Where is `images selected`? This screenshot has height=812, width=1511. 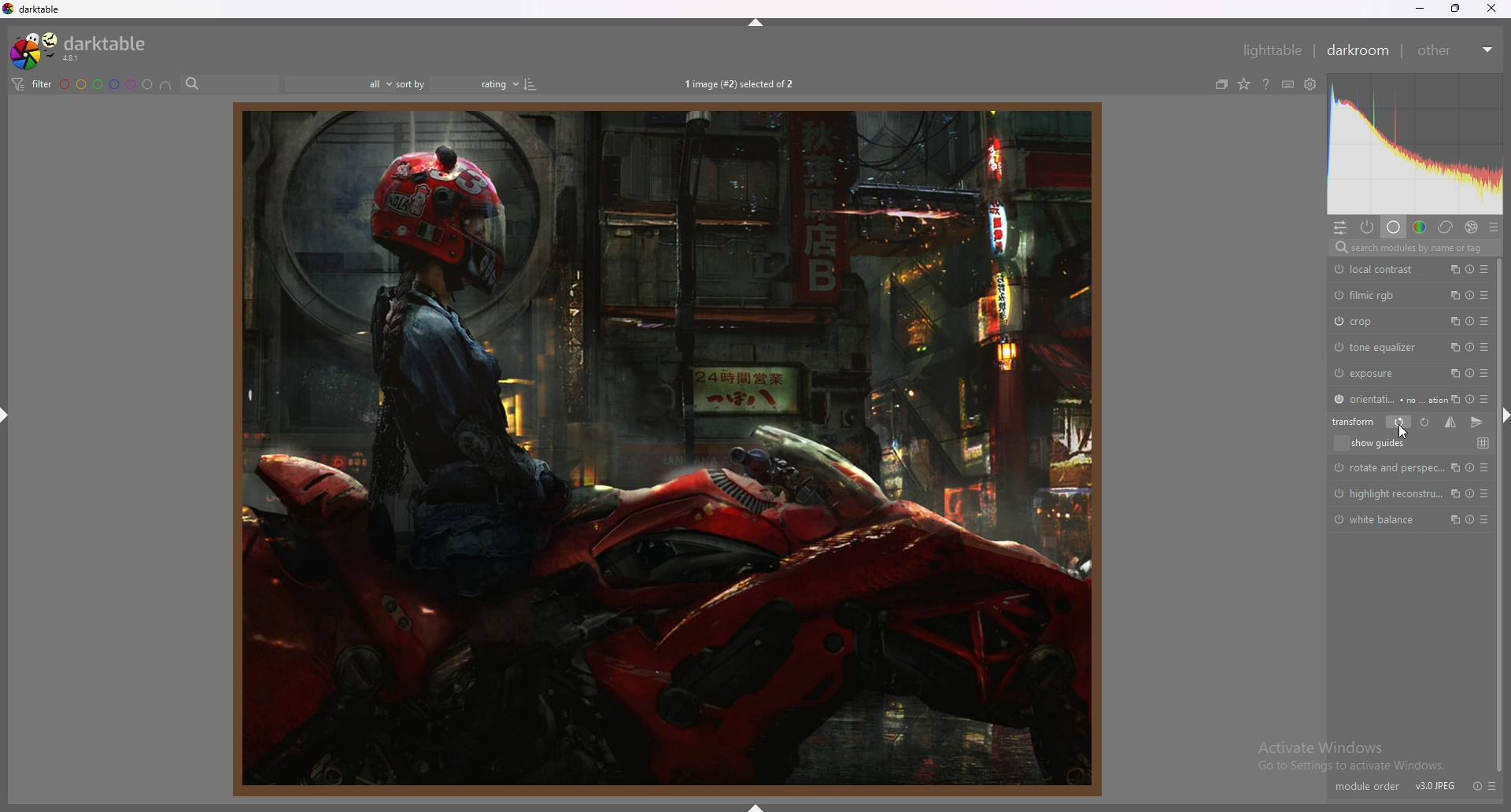 images selected is located at coordinates (740, 84).